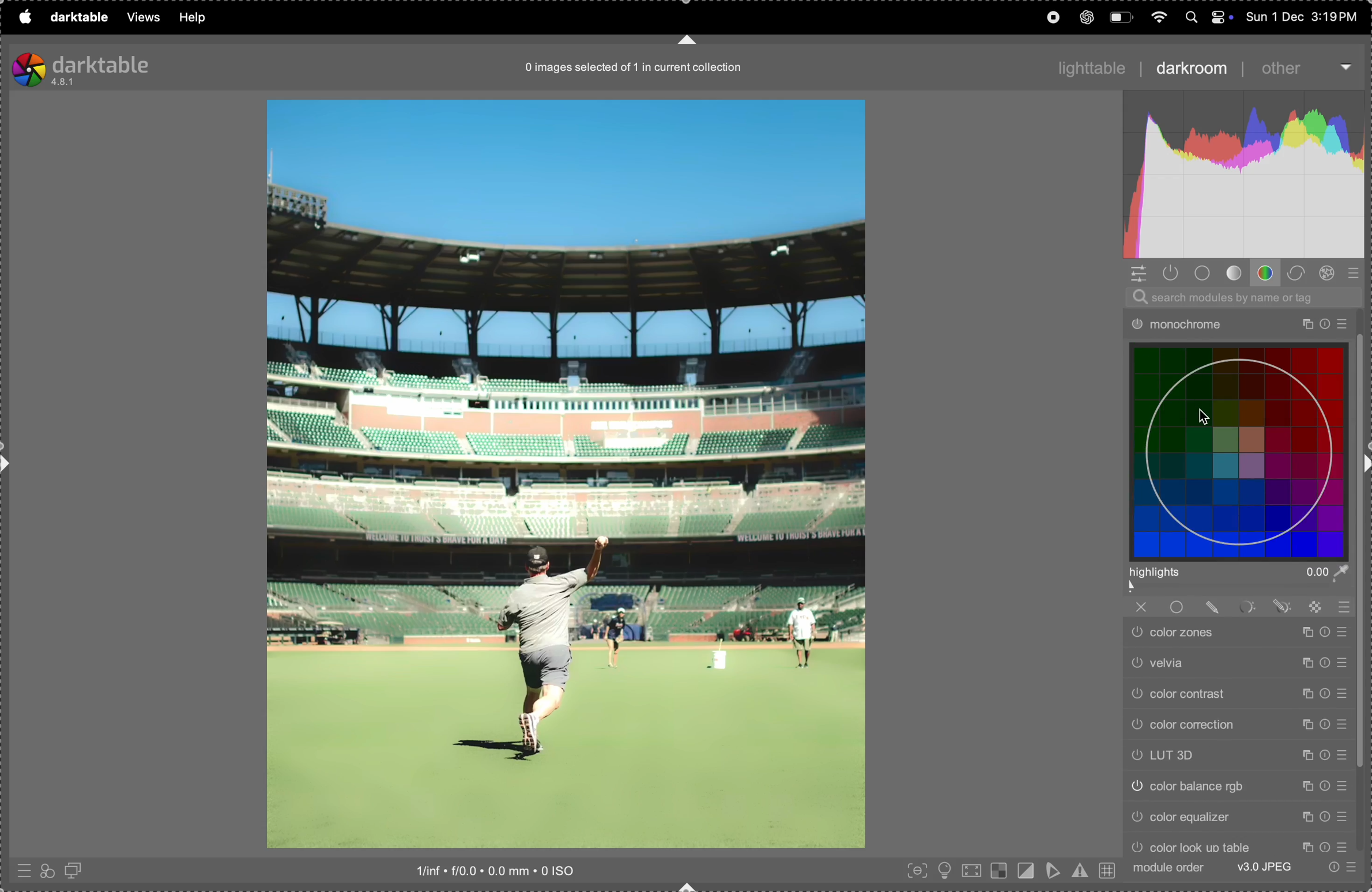 The width and height of the screenshot is (1372, 892). I want to click on battery, so click(1120, 17).